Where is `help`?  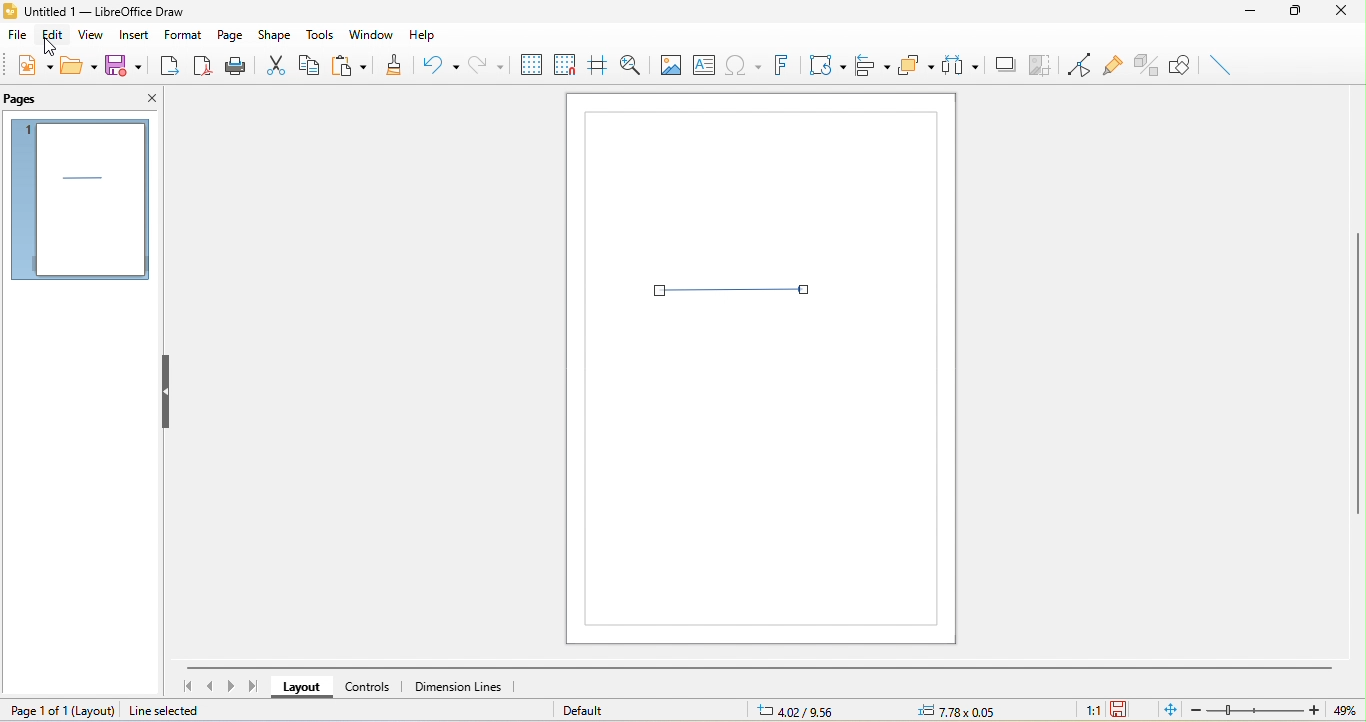 help is located at coordinates (430, 36).